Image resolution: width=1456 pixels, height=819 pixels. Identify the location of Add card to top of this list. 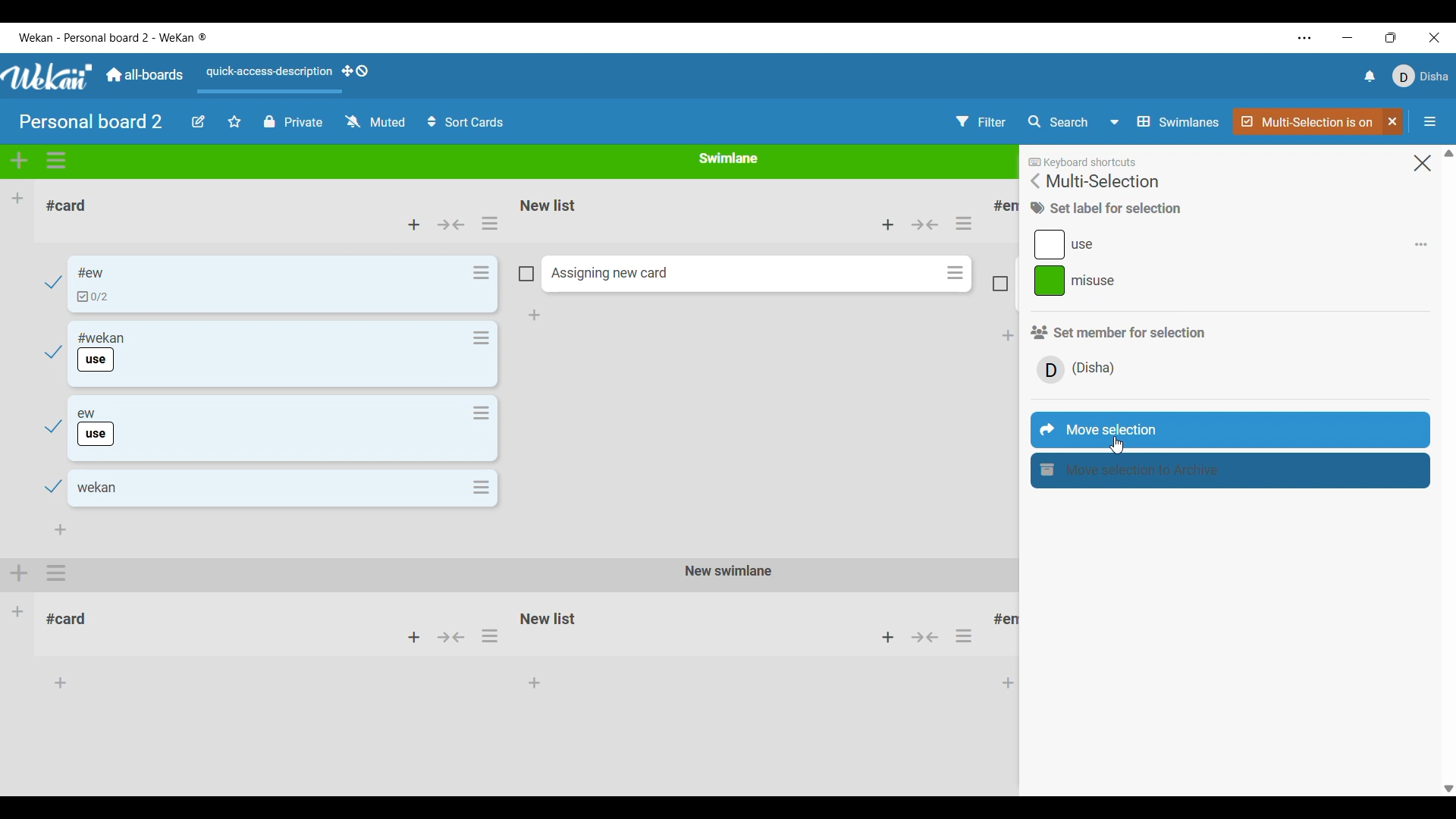
(888, 224).